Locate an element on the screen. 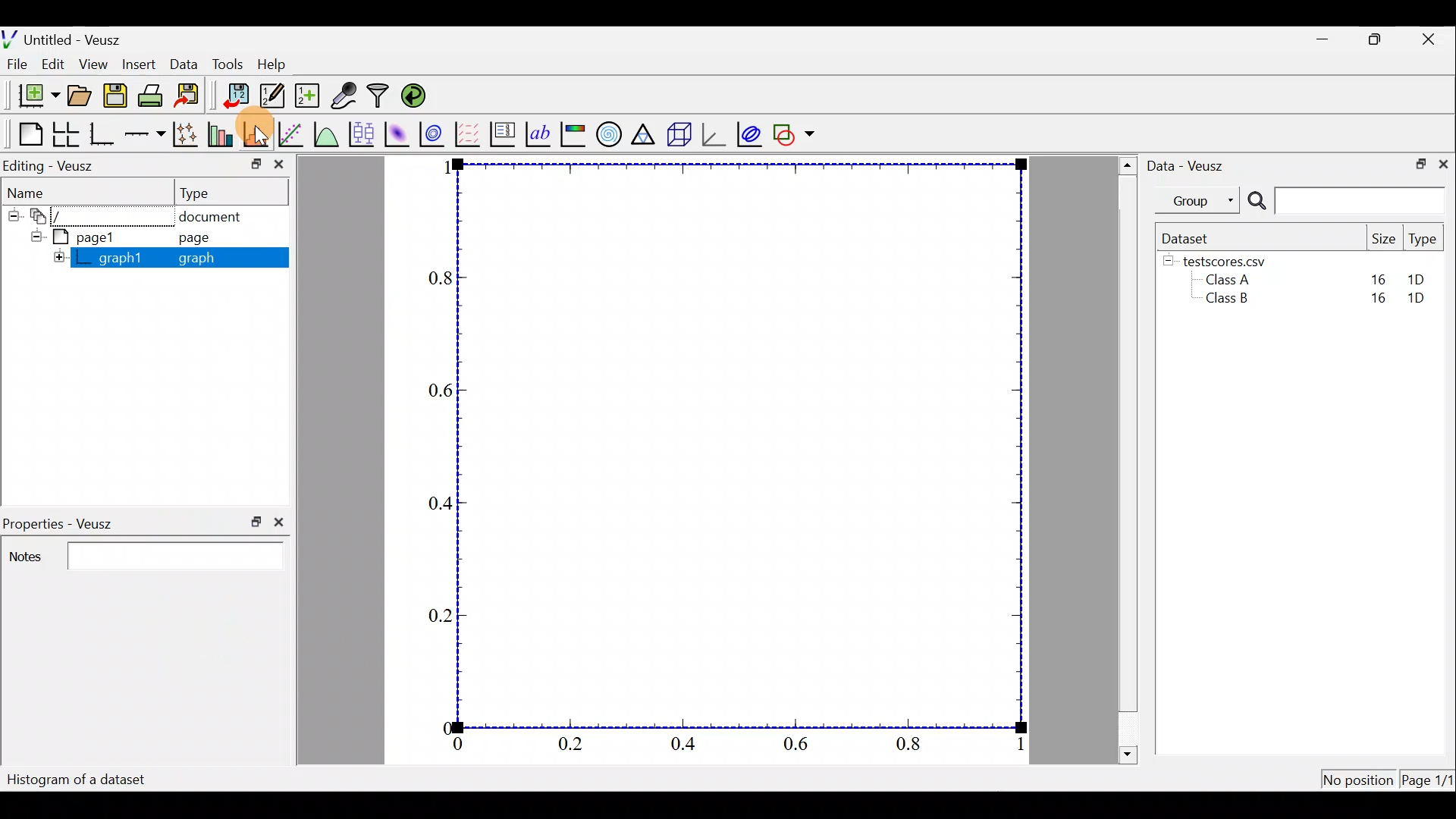 This screenshot has width=1456, height=819. Open a document is located at coordinates (79, 94).